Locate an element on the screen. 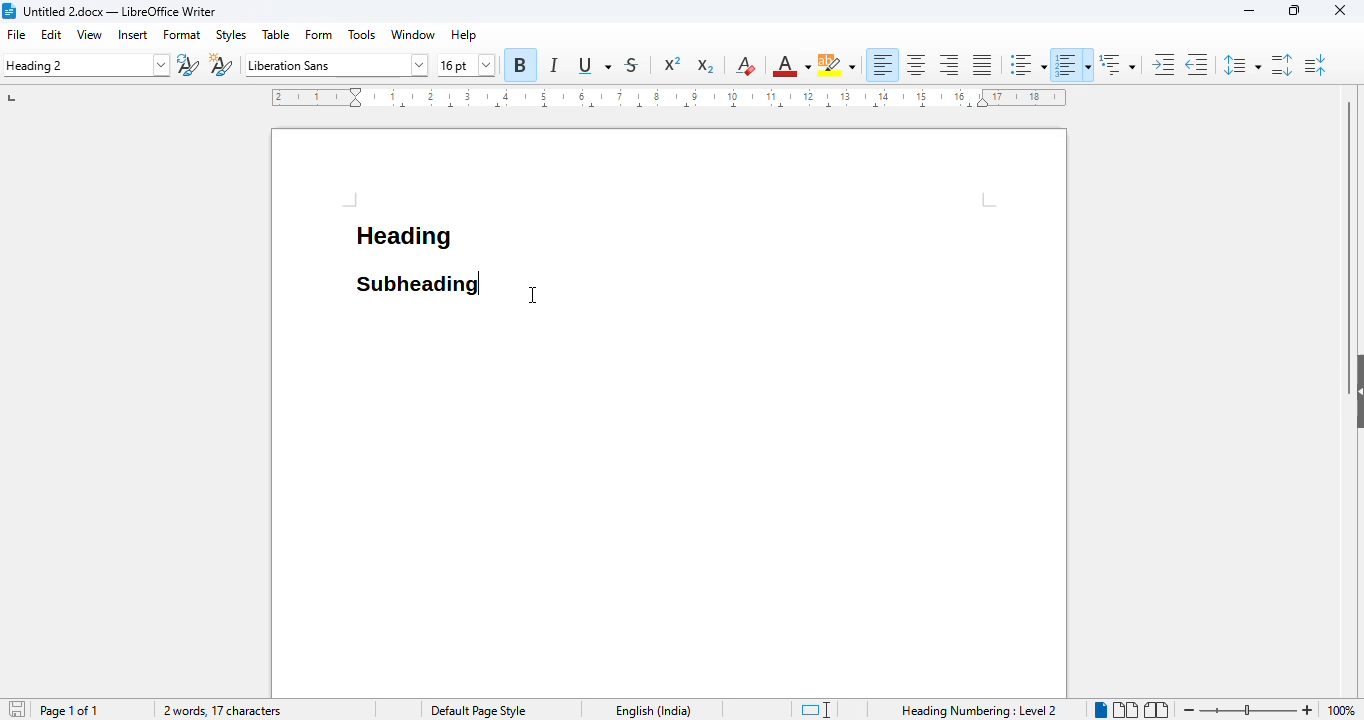 The image size is (1364, 720). bold is located at coordinates (519, 65).